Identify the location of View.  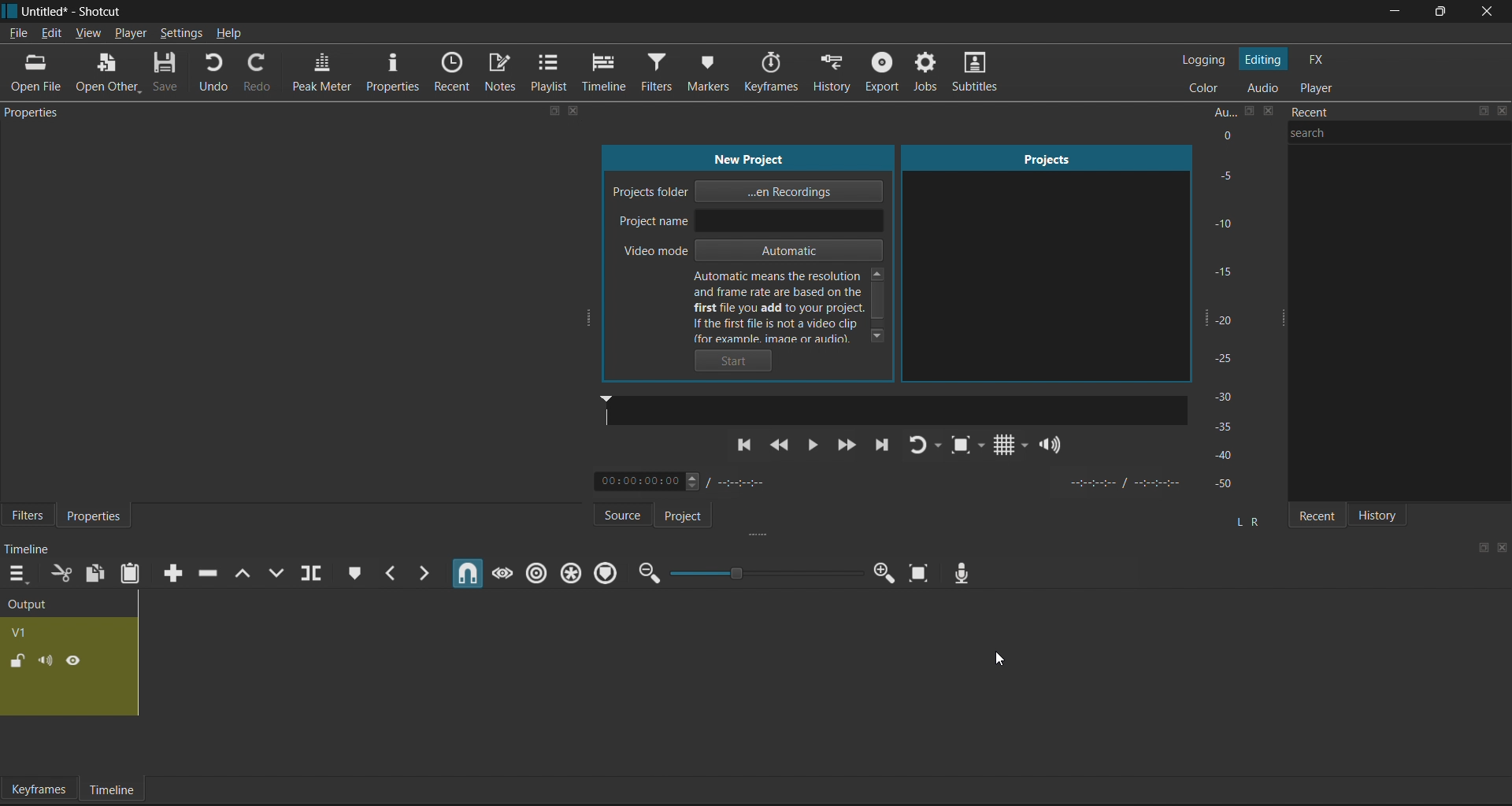
(88, 31).